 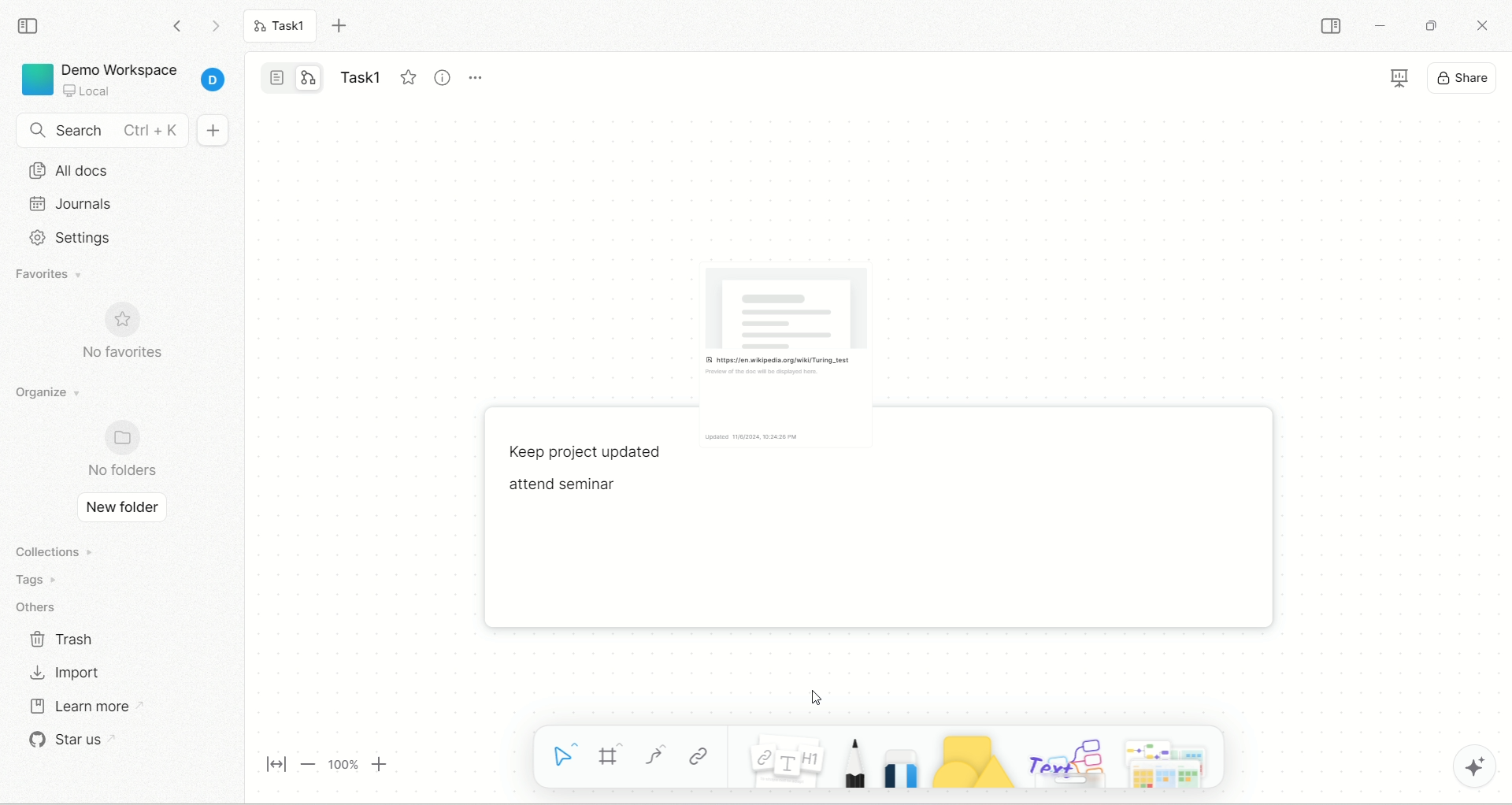 What do you see at coordinates (58, 551) in the screenshot?
I see `collections` at bounding box center [58, 551].